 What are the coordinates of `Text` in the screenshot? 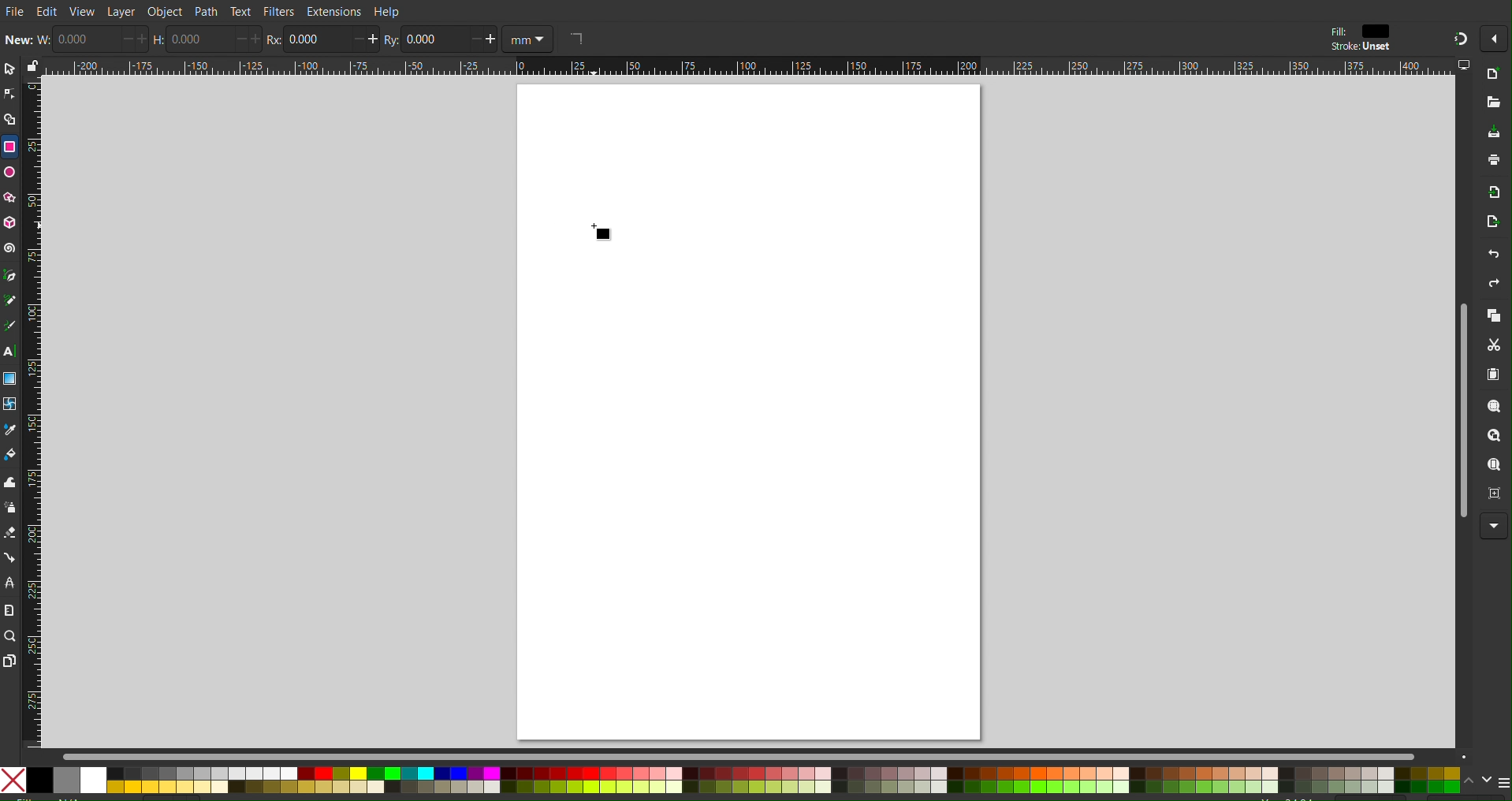 It's located at (240, 12).